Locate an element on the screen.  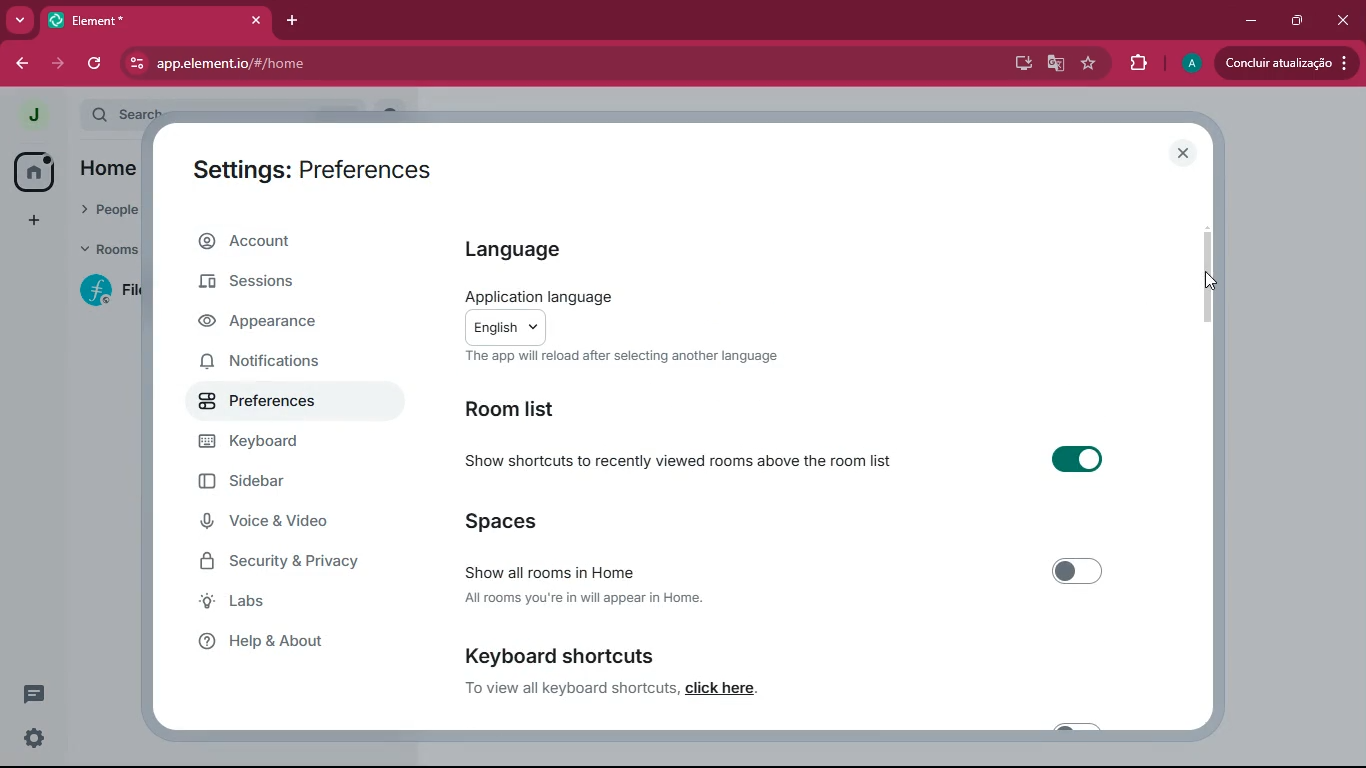
minimize is located at coordinates (1247, 21).